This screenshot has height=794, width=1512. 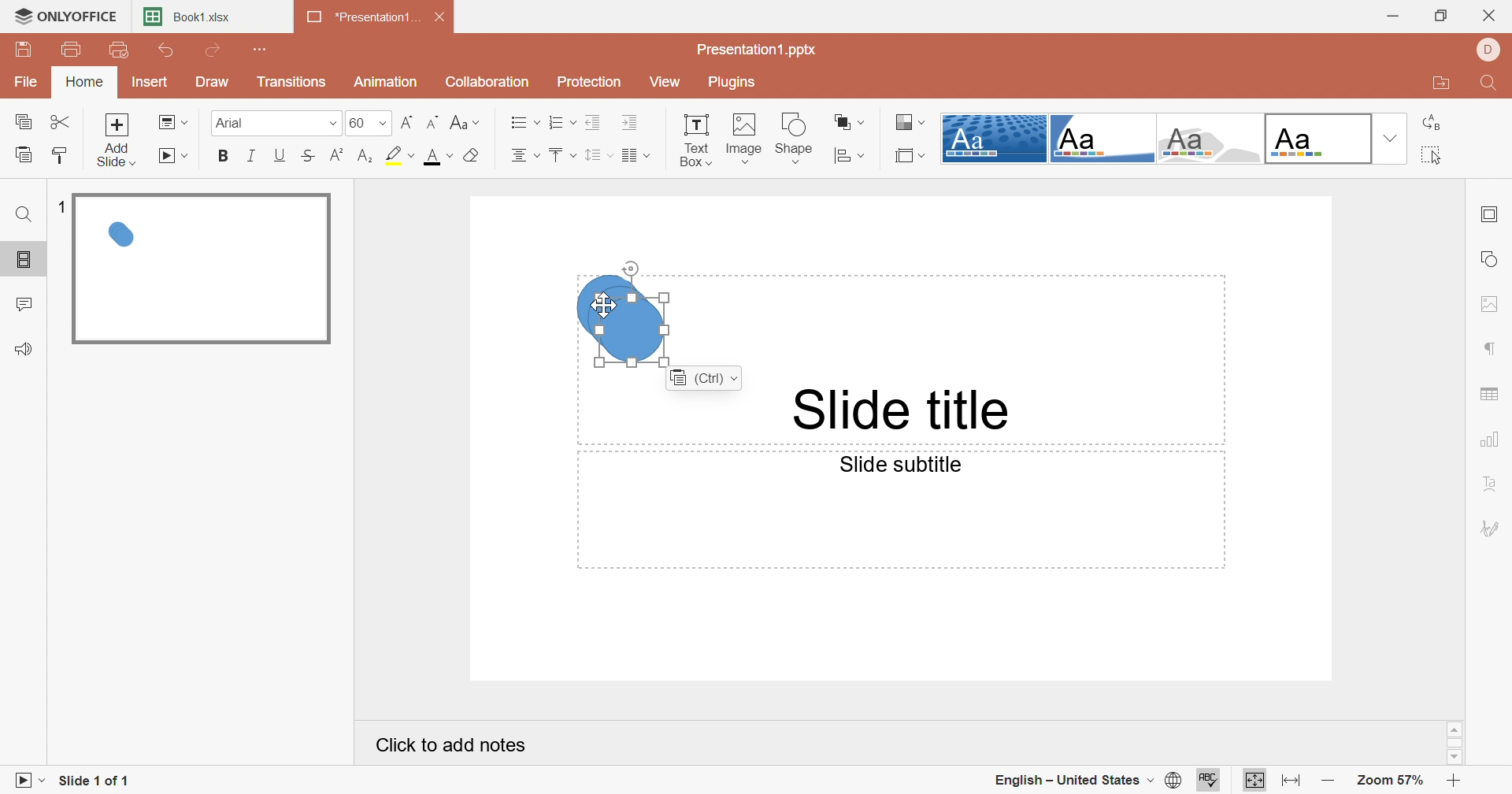 I want to click on Presentation1..., so click(x=363, y=17).